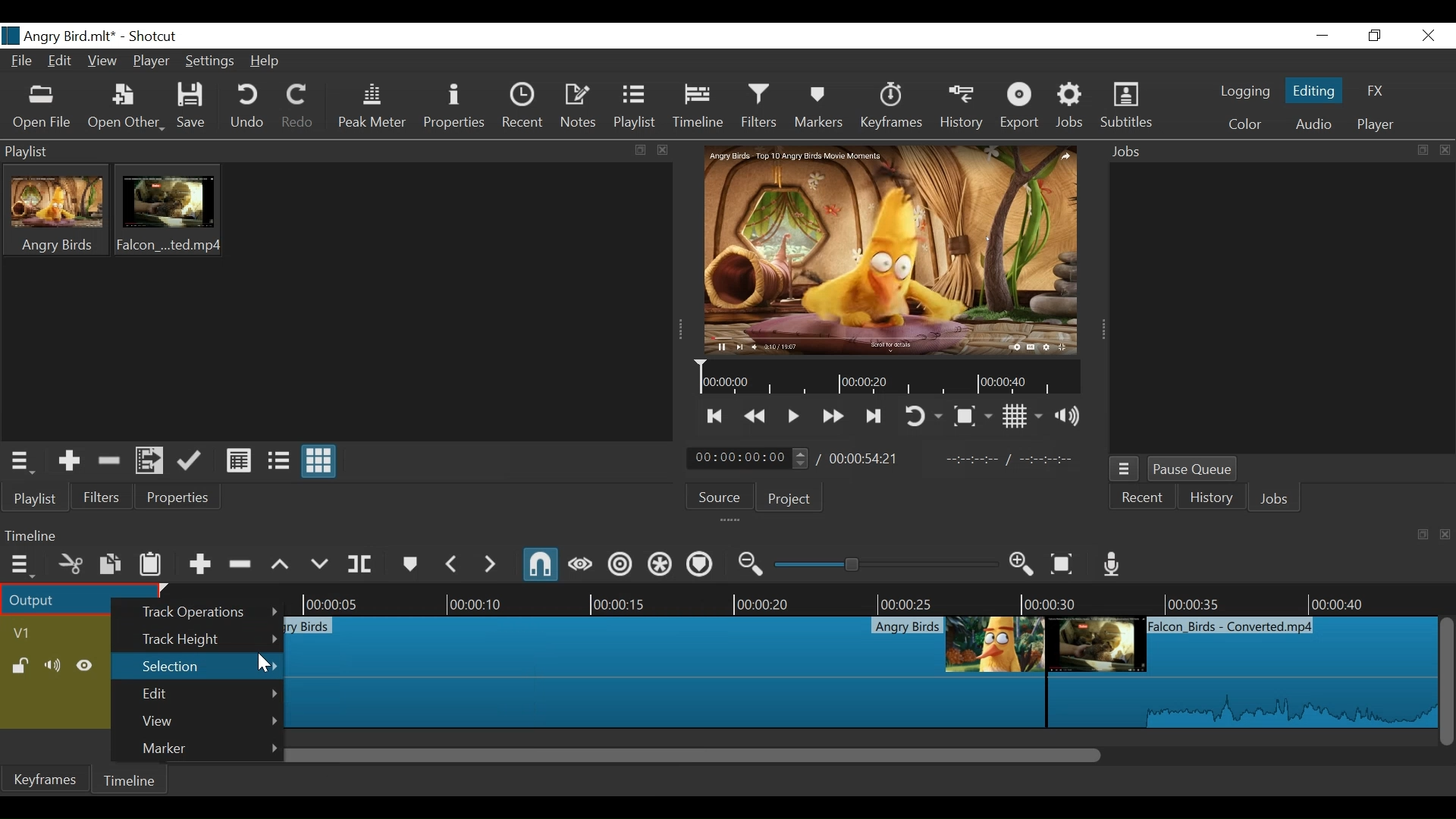  Describe the element at coordinates (360, 565) in the screenshot. I see `Split at playhead` at that location.